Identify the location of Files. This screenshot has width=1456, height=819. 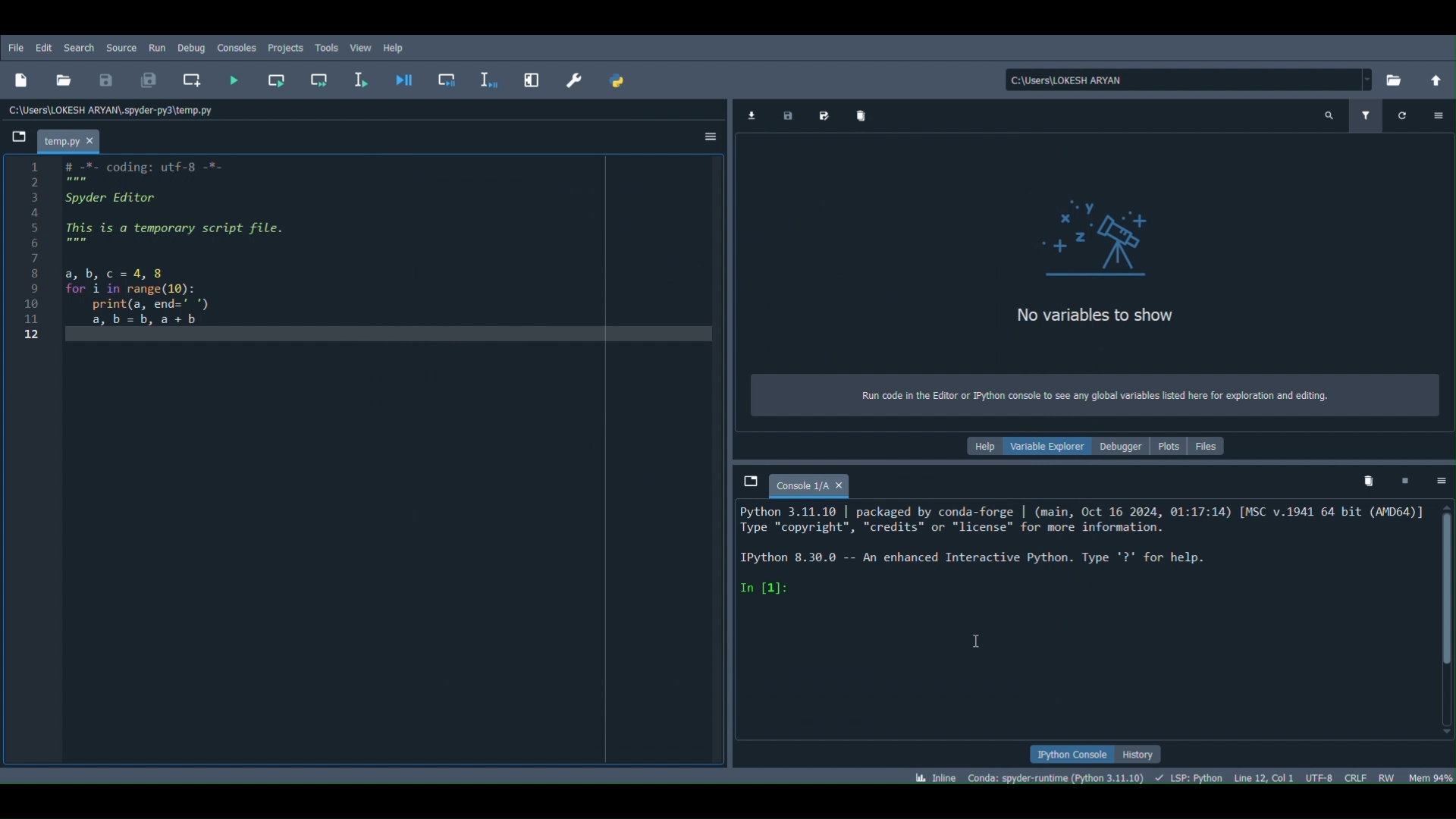
(1214, 446).